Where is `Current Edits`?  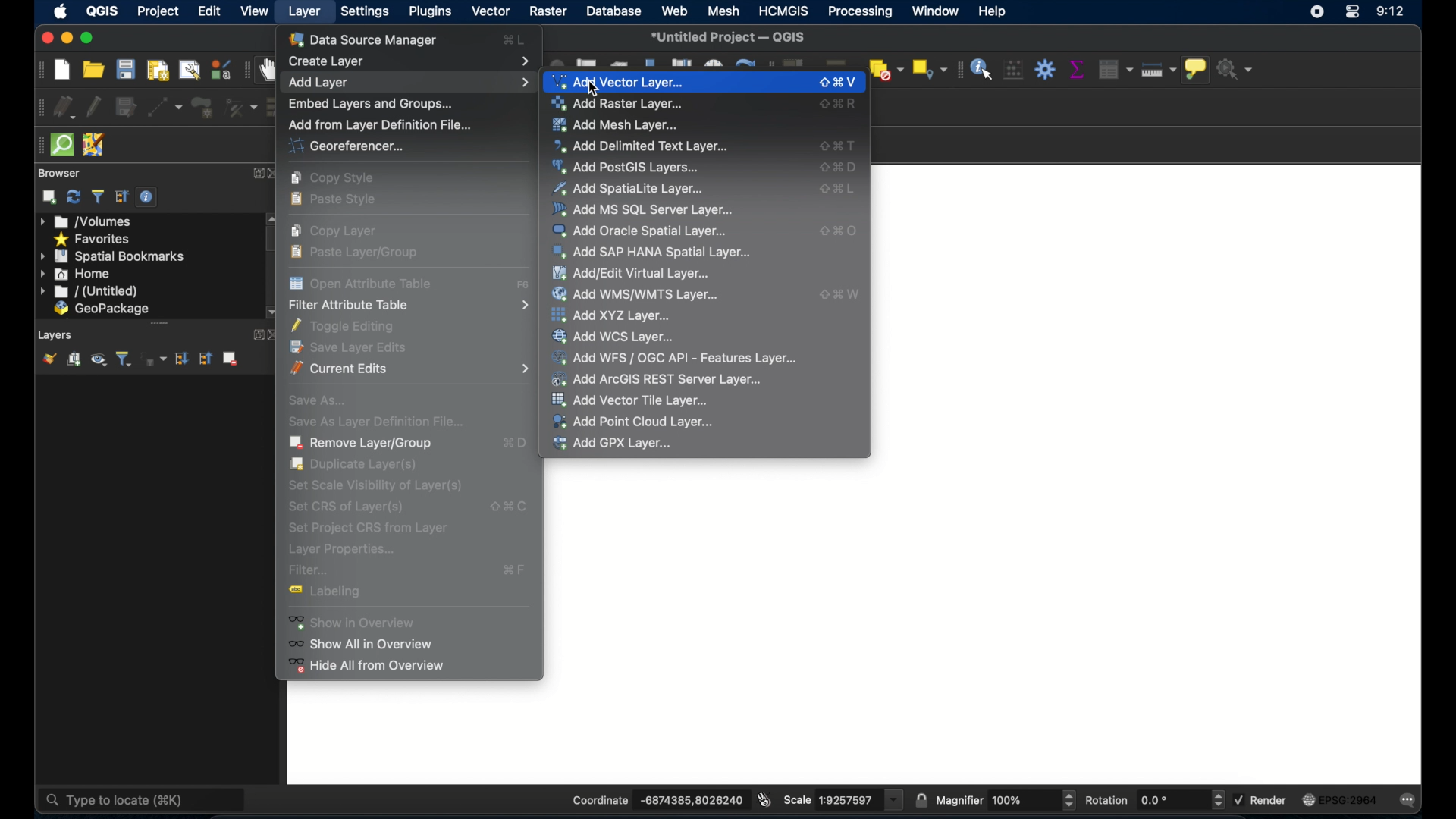
Current Edits is located at coordinates (409, 370).